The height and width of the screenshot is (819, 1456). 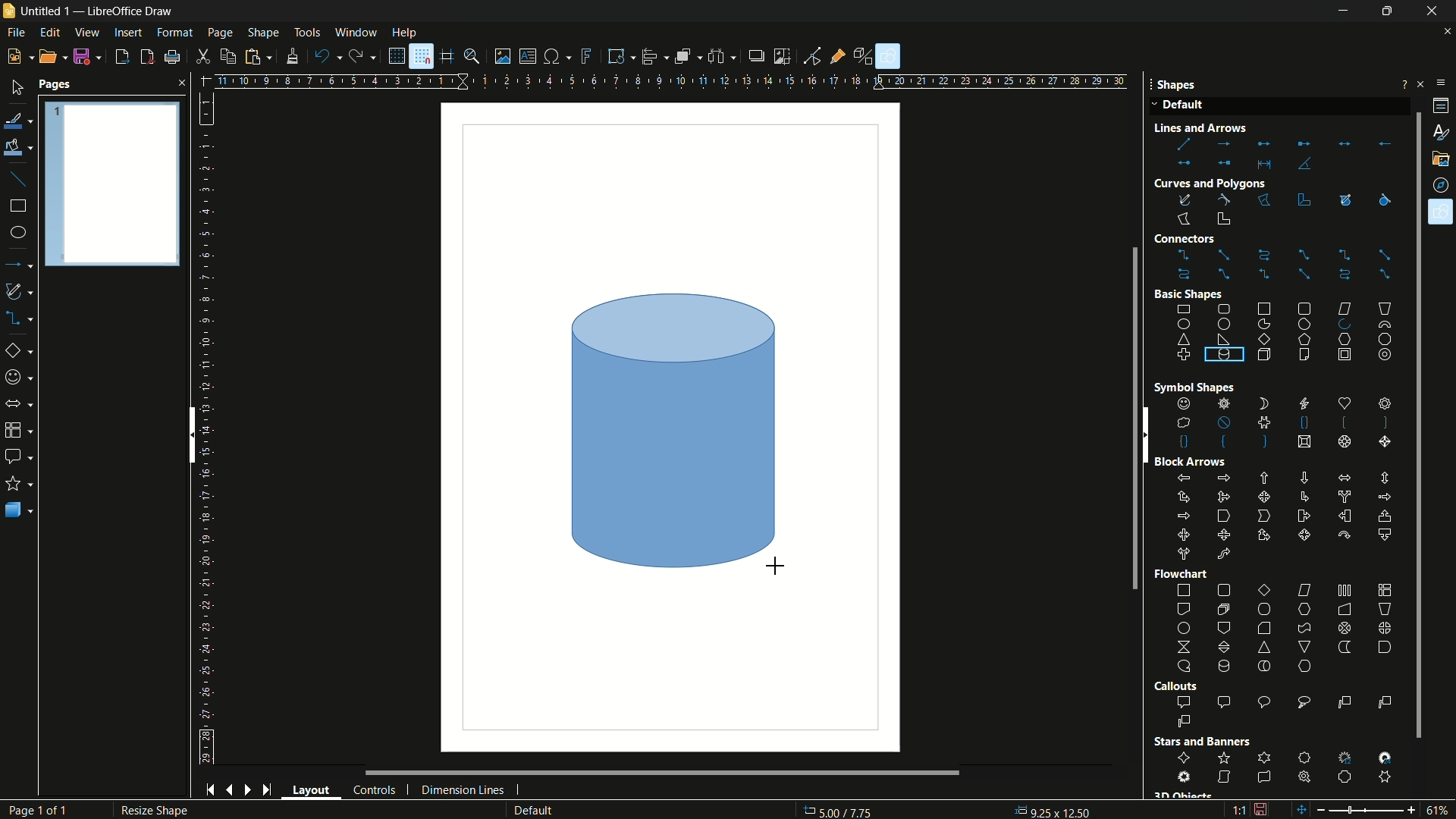 What do you see at coordinates (821, 83) in the screenshot?
I see `width measure scale` at bounding box center [821, 83].